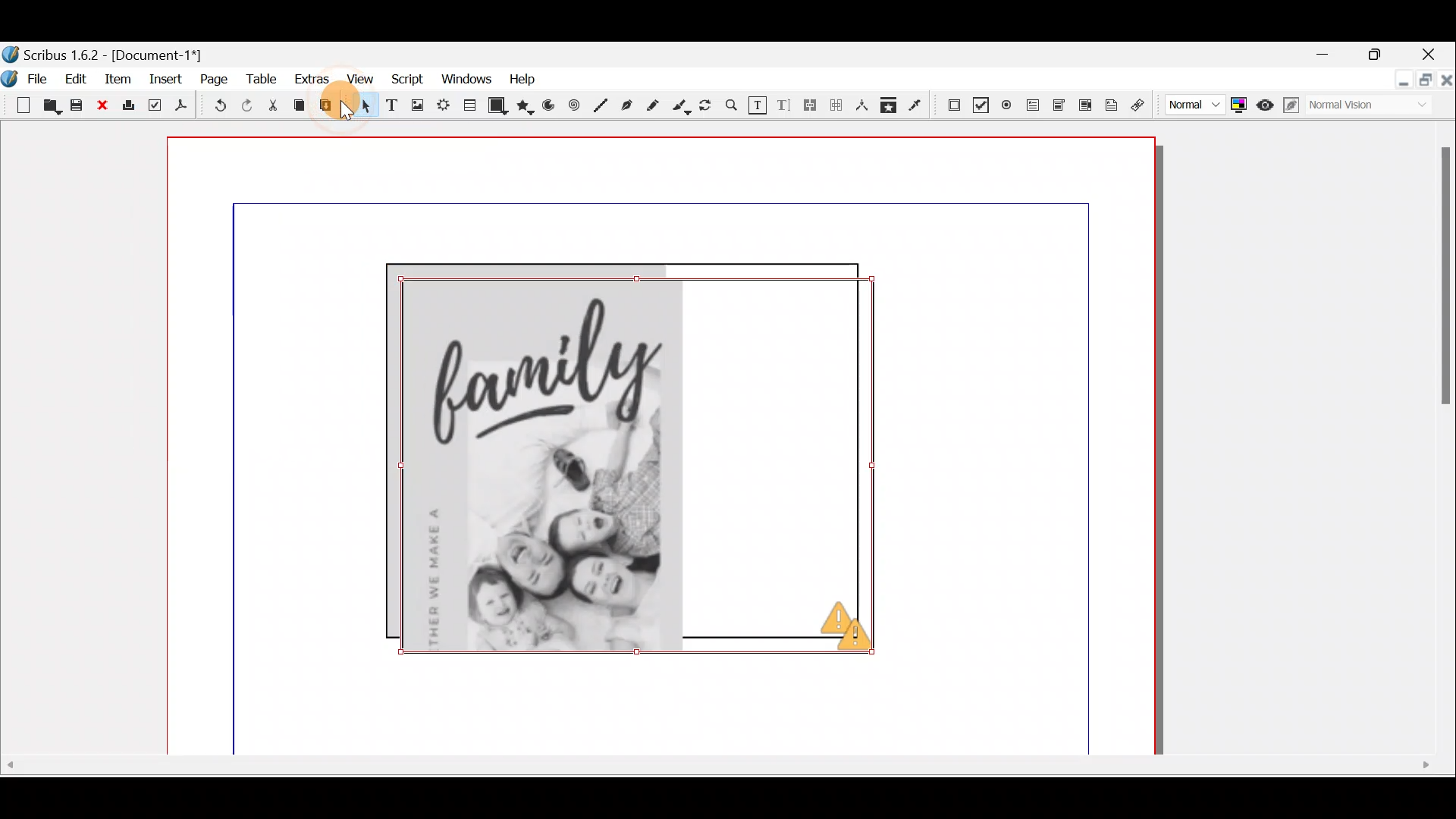  I want to click on Scroll bar, so click(718, 781).